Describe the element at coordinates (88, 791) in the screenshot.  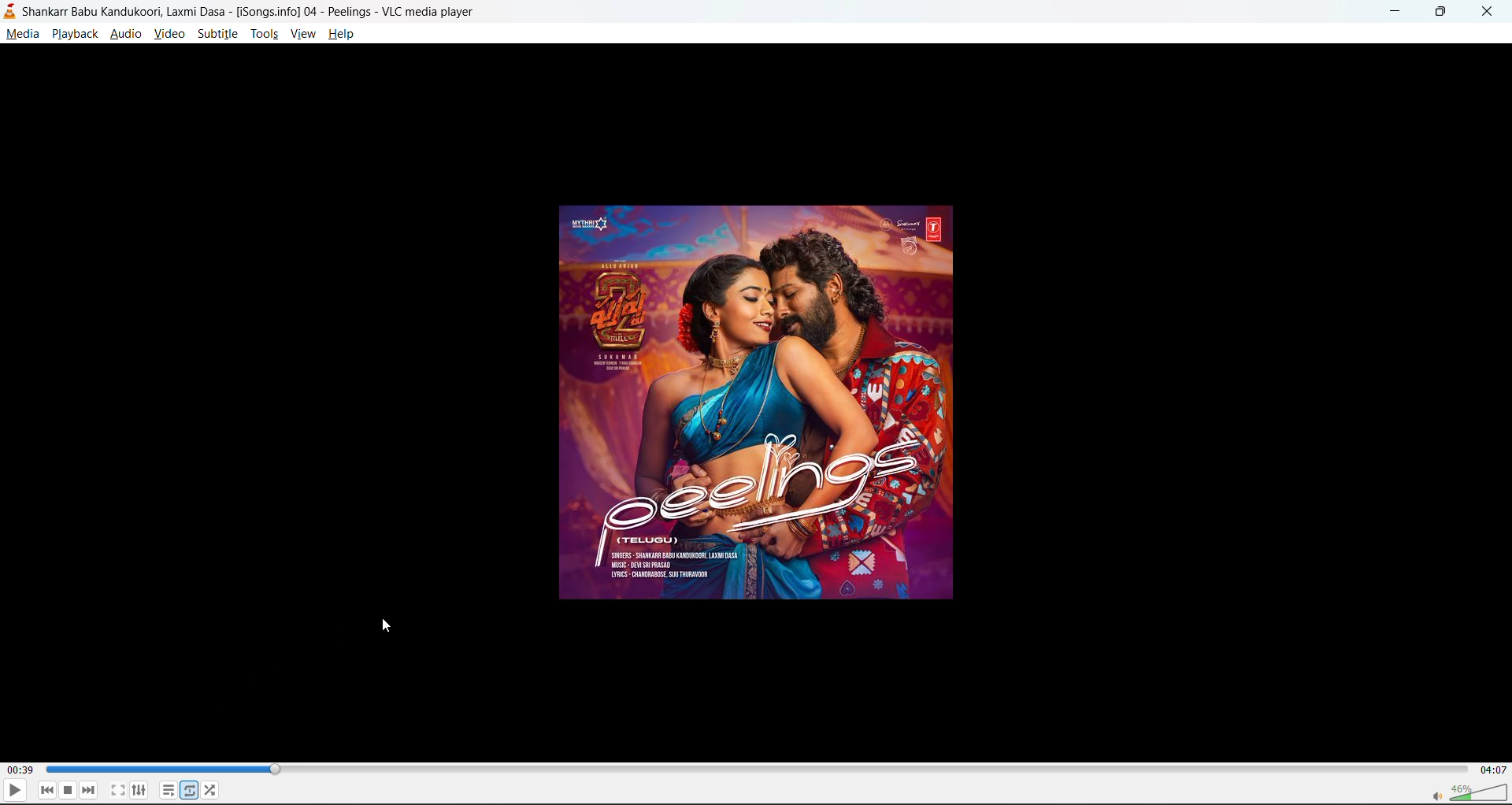
I see `next` at that location.